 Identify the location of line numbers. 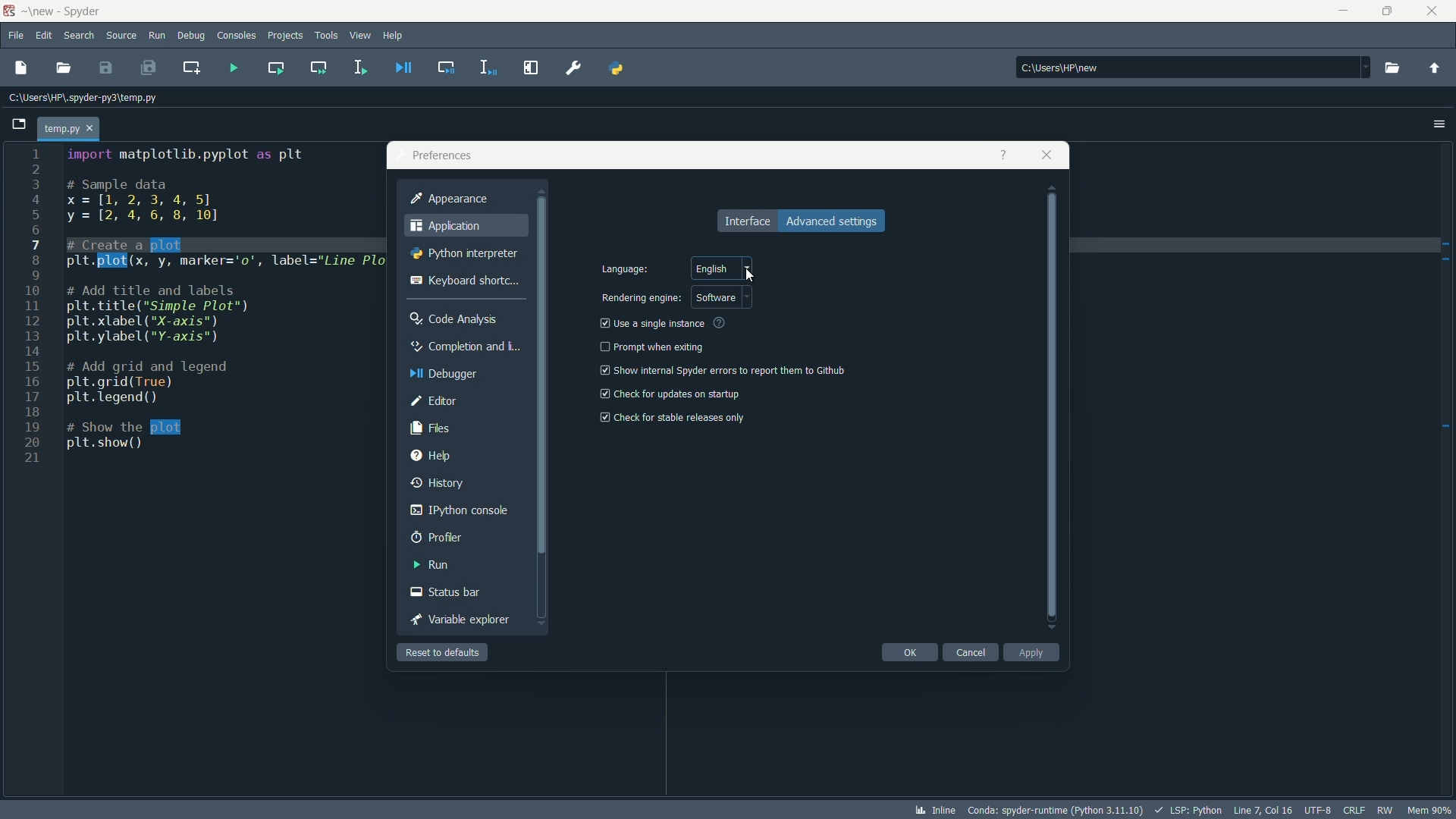
(36, 309).